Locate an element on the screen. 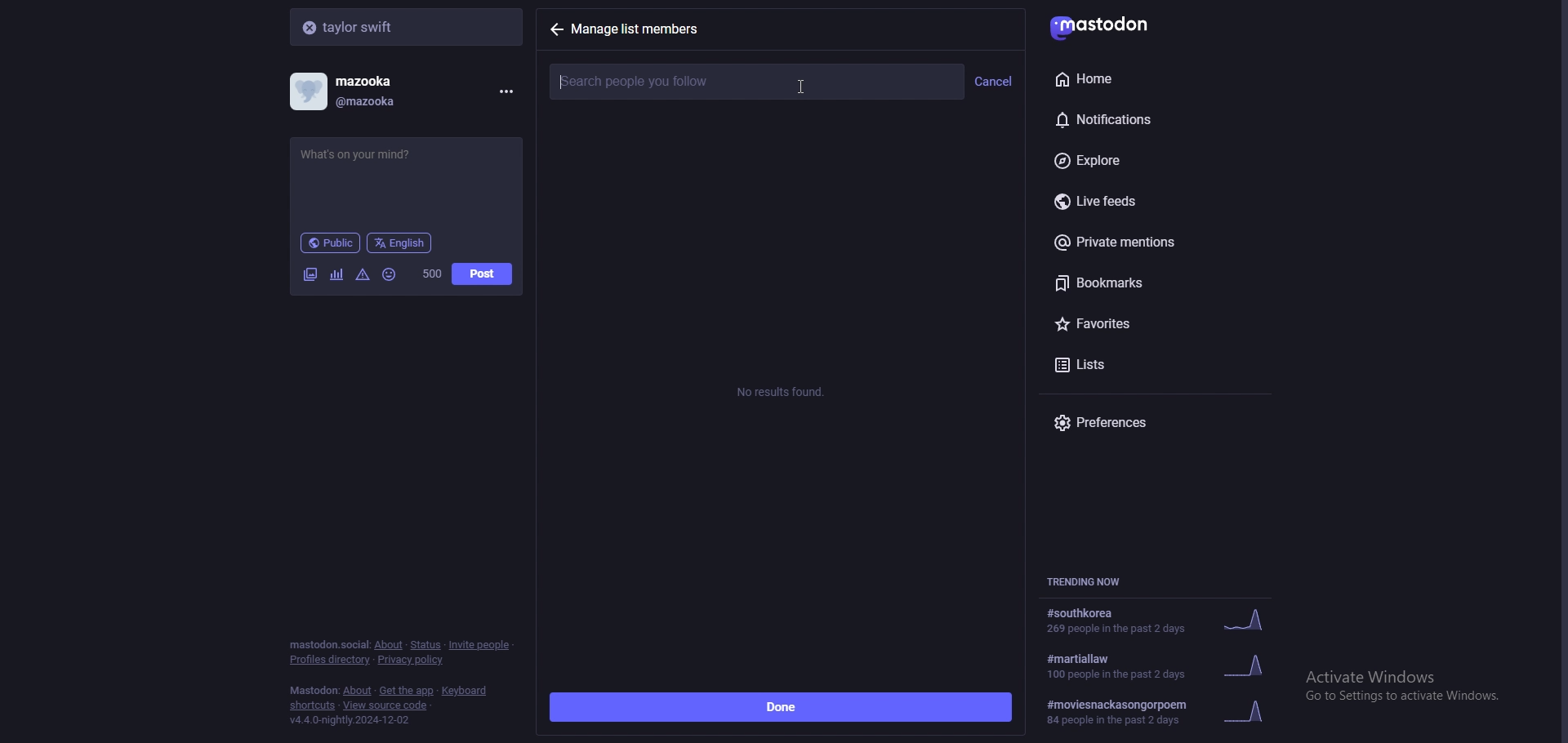  explore is located at coordinates (1150, 162).